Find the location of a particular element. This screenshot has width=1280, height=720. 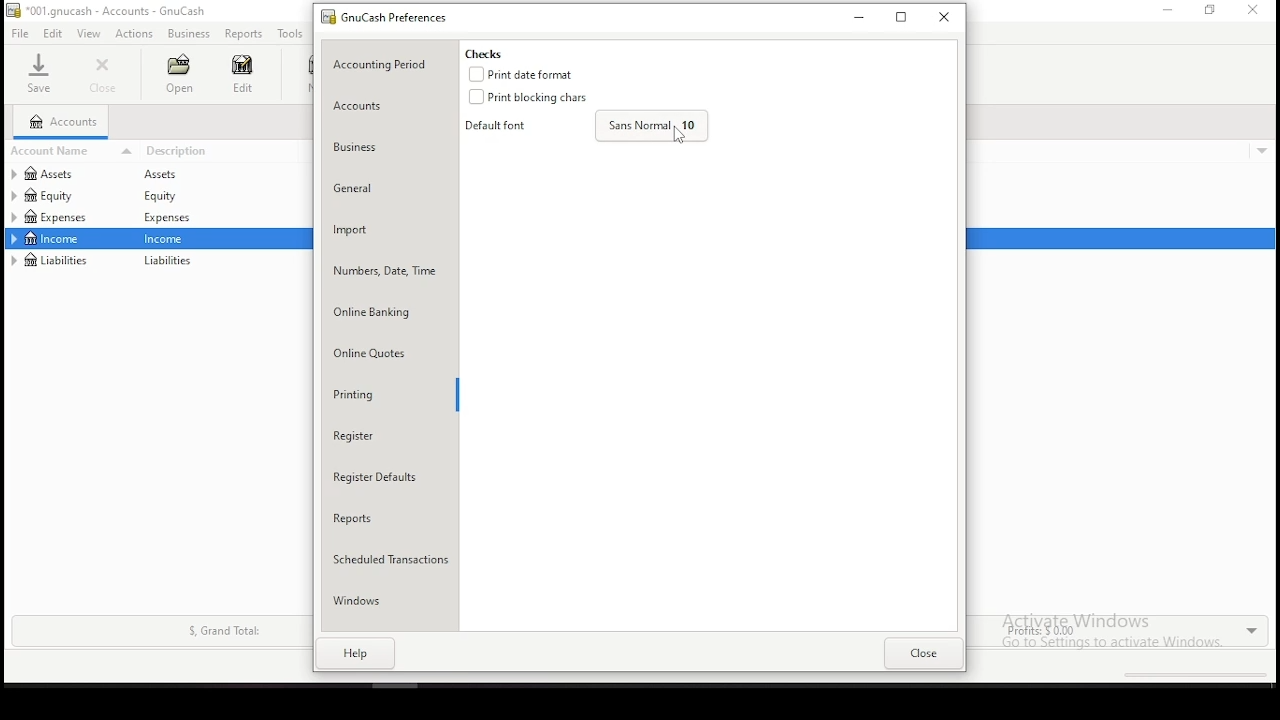

online banking is located at coordinates (386, 314).